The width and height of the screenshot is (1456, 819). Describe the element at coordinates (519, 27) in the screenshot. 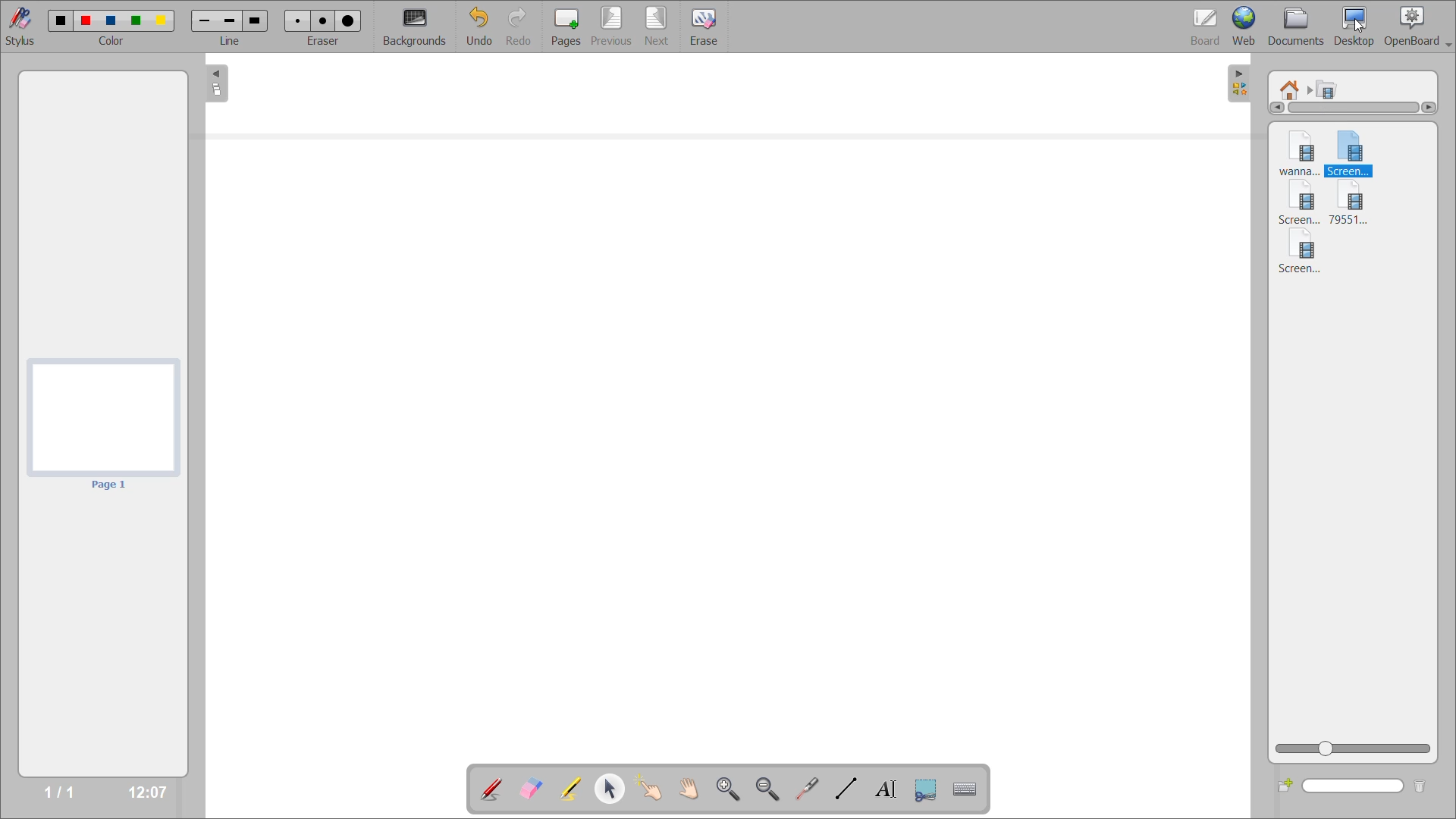

I see `redo` at that location.